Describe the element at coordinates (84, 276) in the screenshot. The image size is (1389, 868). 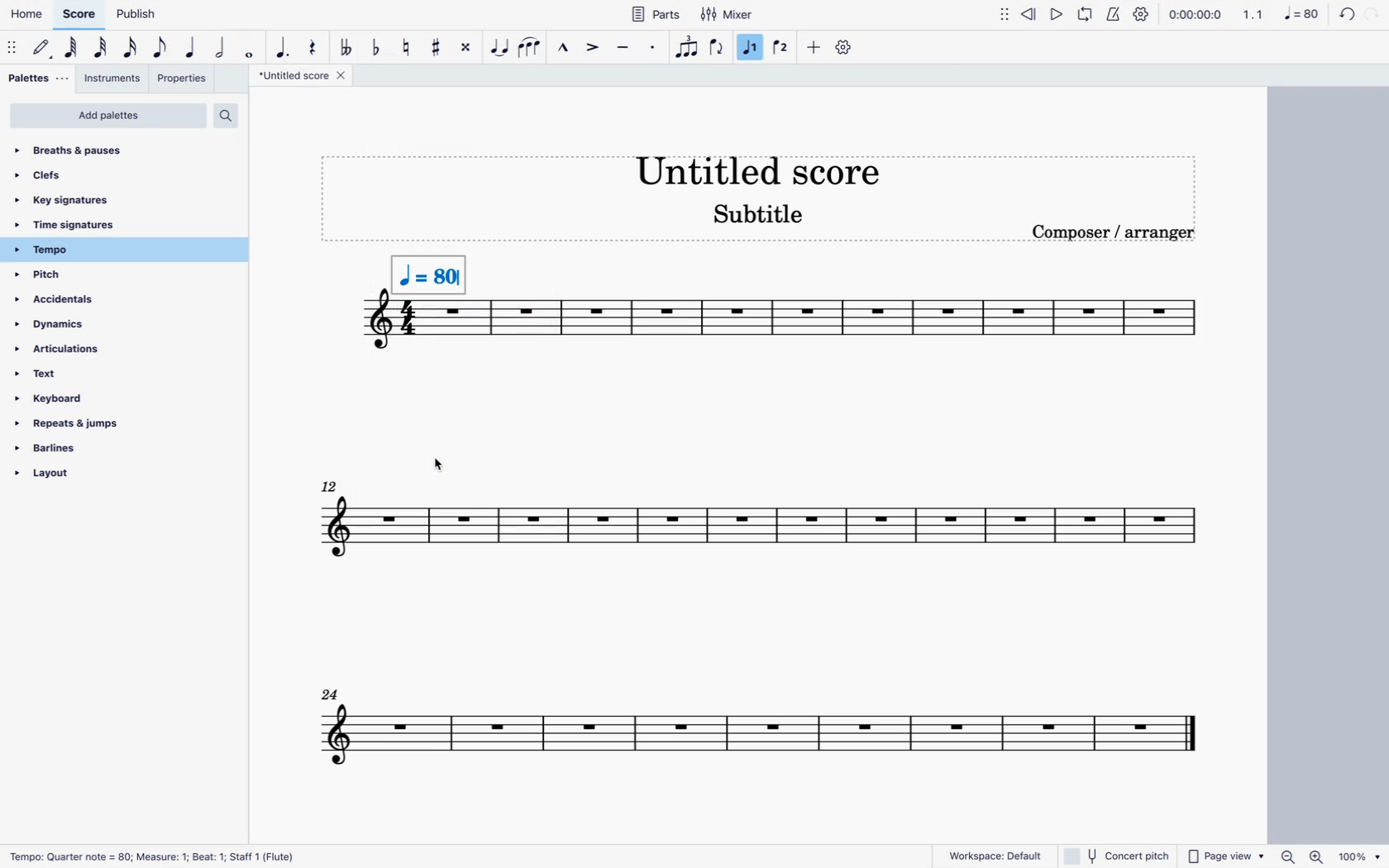
I see `pitch` at that location.